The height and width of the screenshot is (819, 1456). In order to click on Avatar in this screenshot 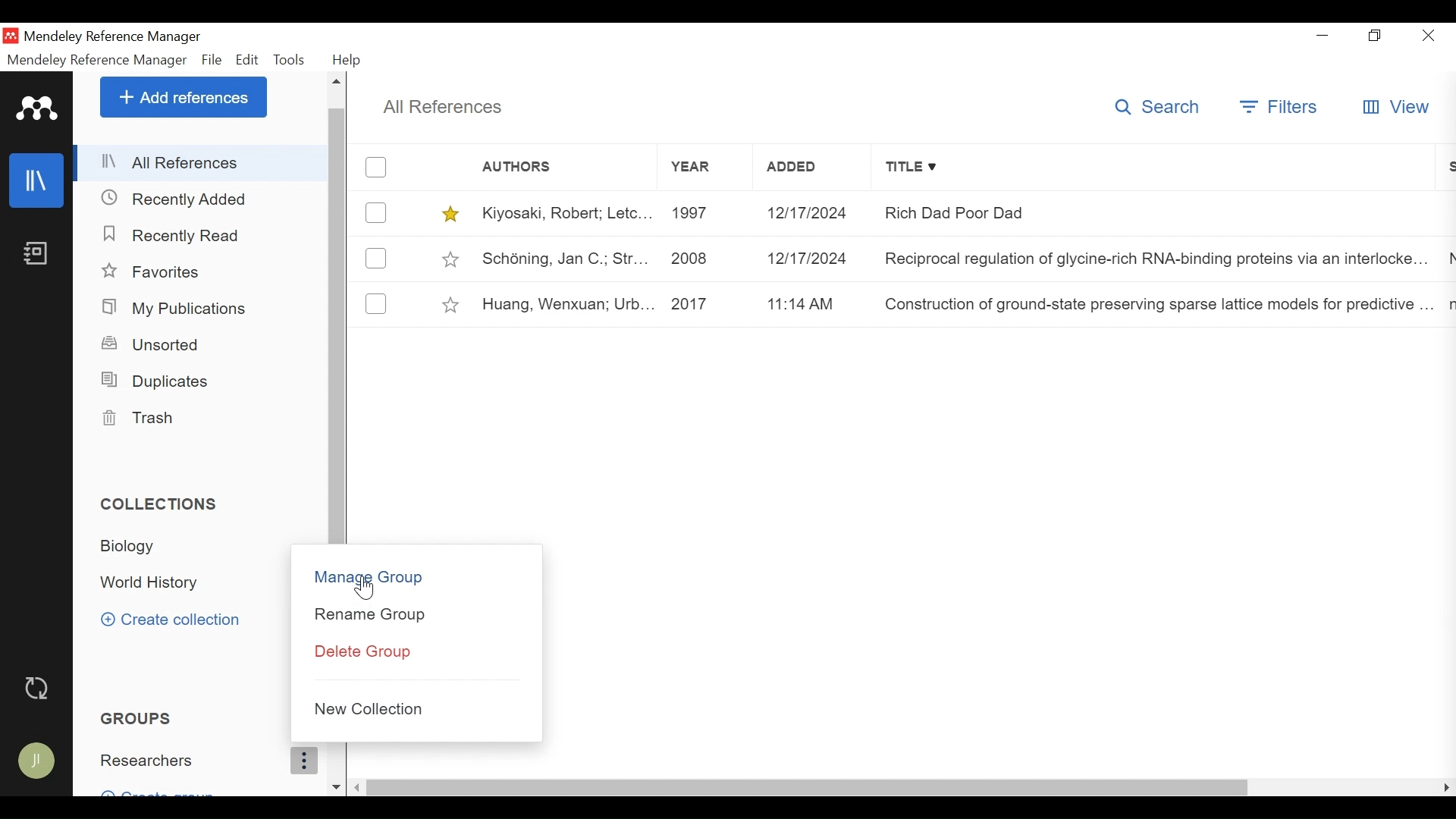, I will do `click(38, 762)`.